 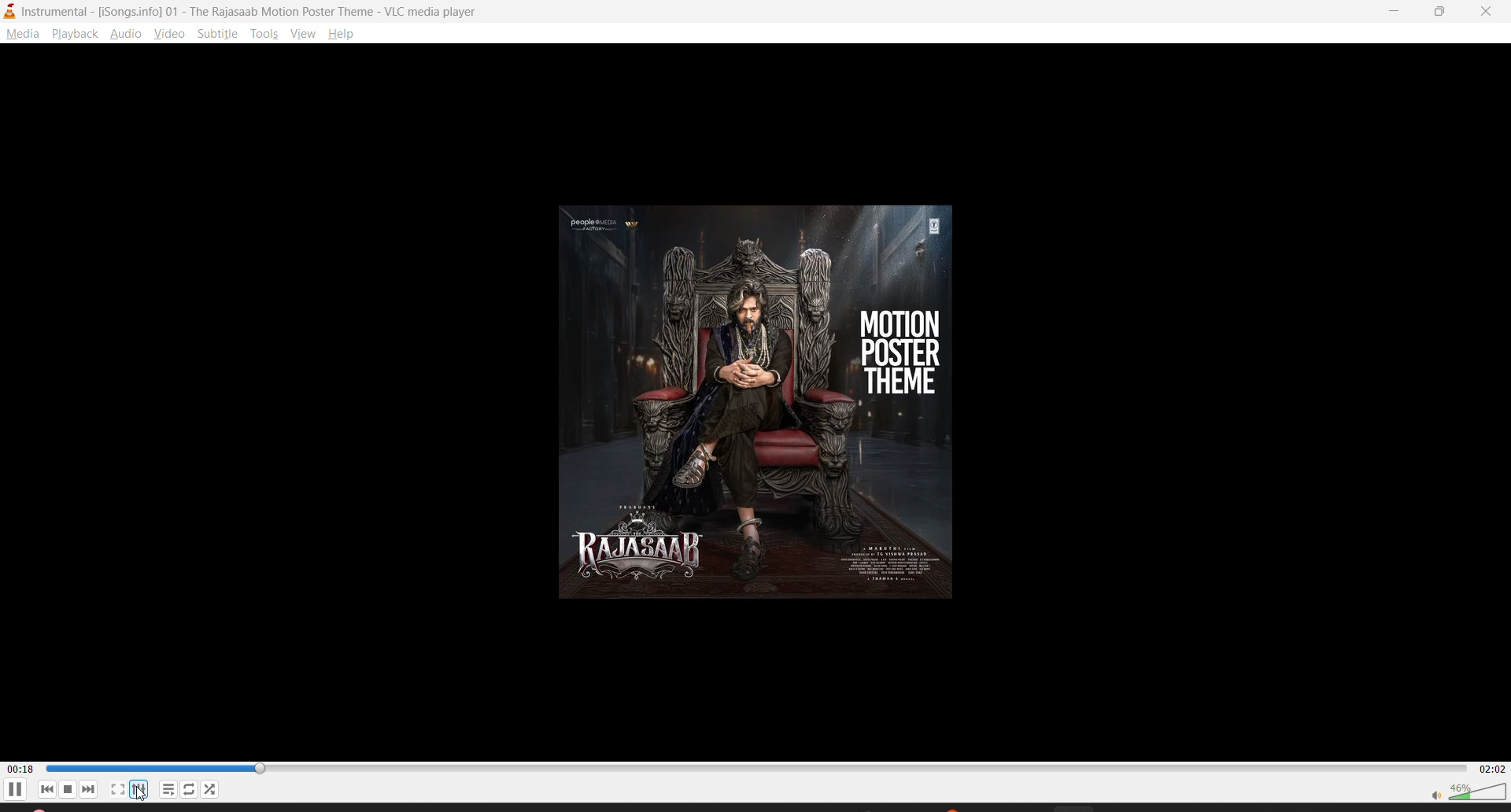 What do you see at coordinates (144, 788) in the screenshot?
I see `settings` at bounding box center [144, 788].